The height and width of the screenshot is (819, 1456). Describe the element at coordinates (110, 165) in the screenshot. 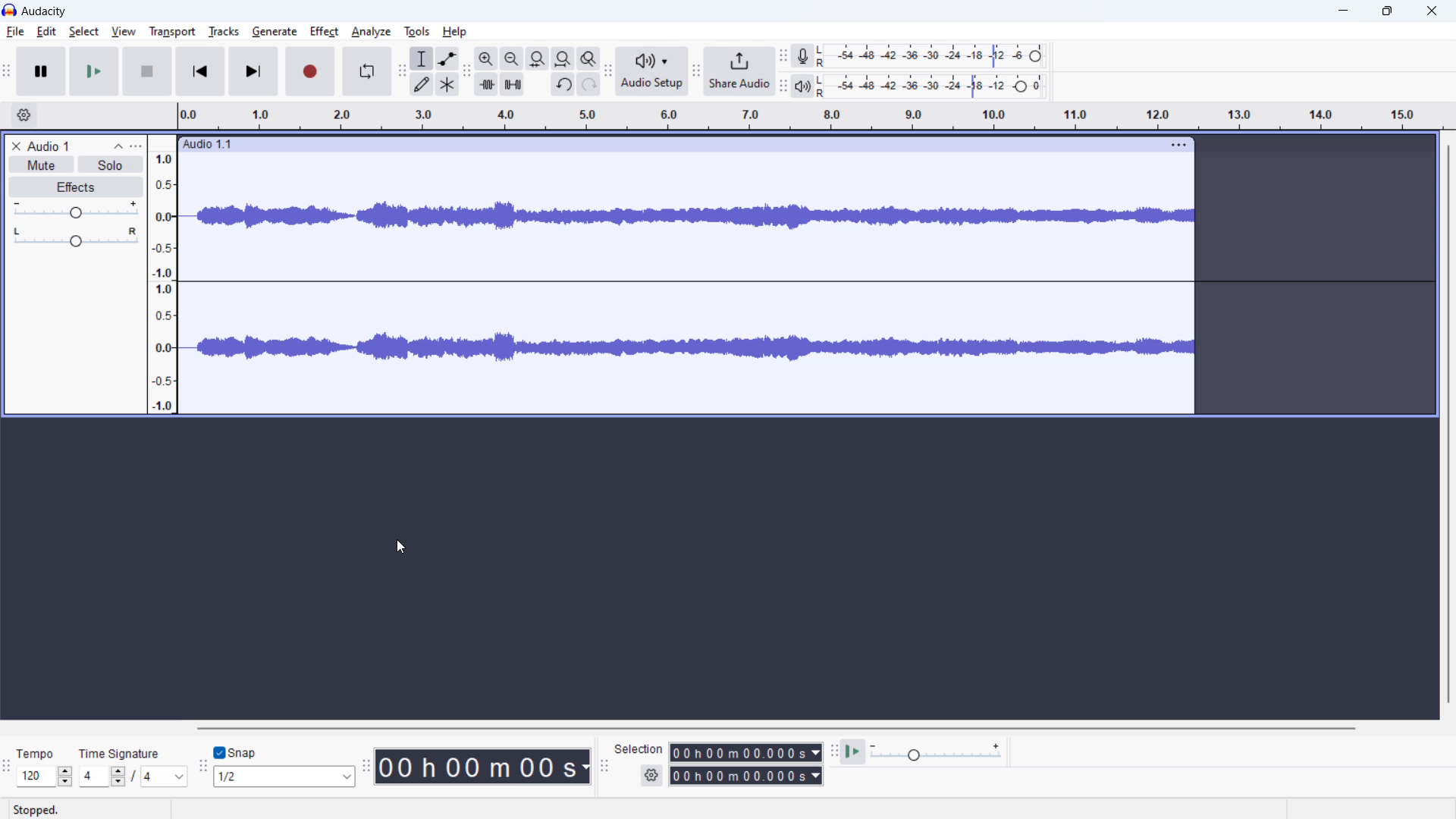

I see `solo` at that location.